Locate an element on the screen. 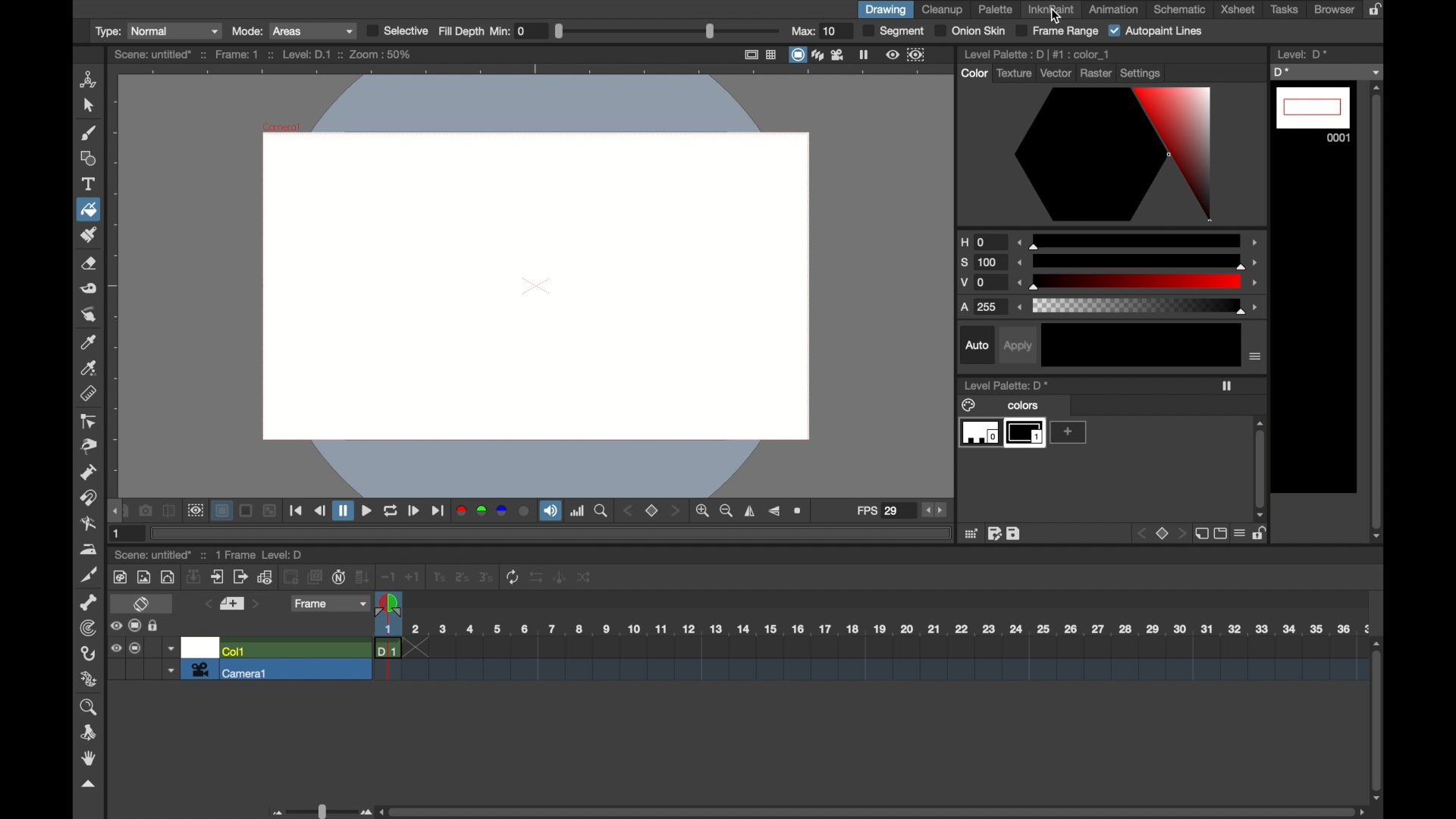  selective is located at coordinates (397, 30).